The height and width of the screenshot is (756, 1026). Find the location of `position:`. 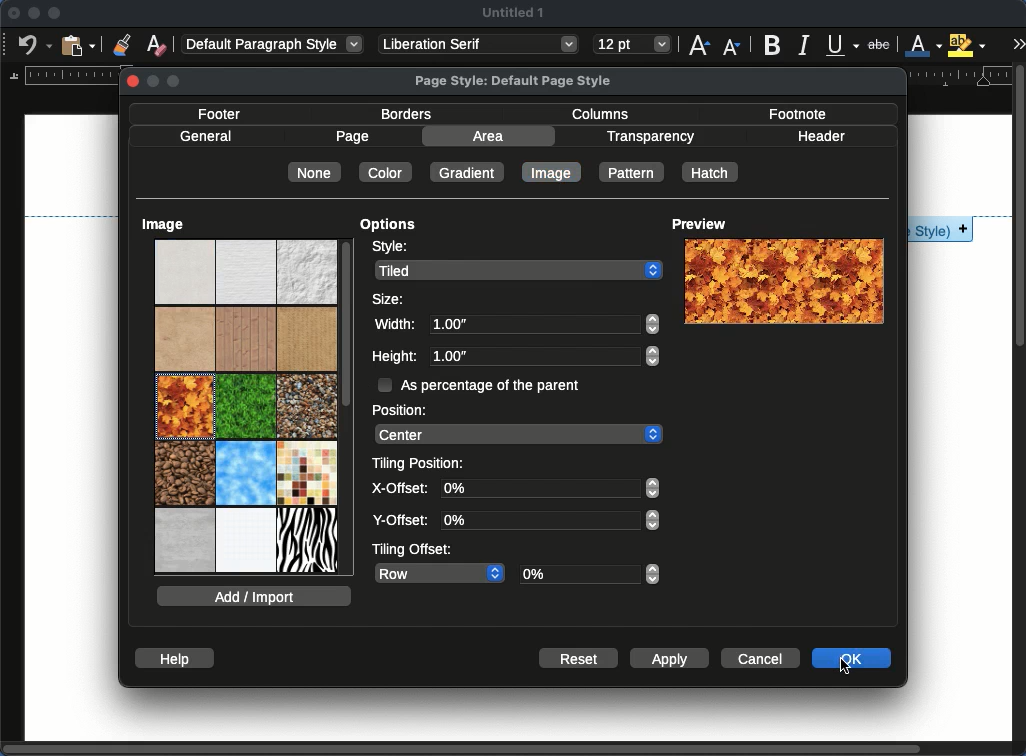

position: is located at coordinates (400, 409).